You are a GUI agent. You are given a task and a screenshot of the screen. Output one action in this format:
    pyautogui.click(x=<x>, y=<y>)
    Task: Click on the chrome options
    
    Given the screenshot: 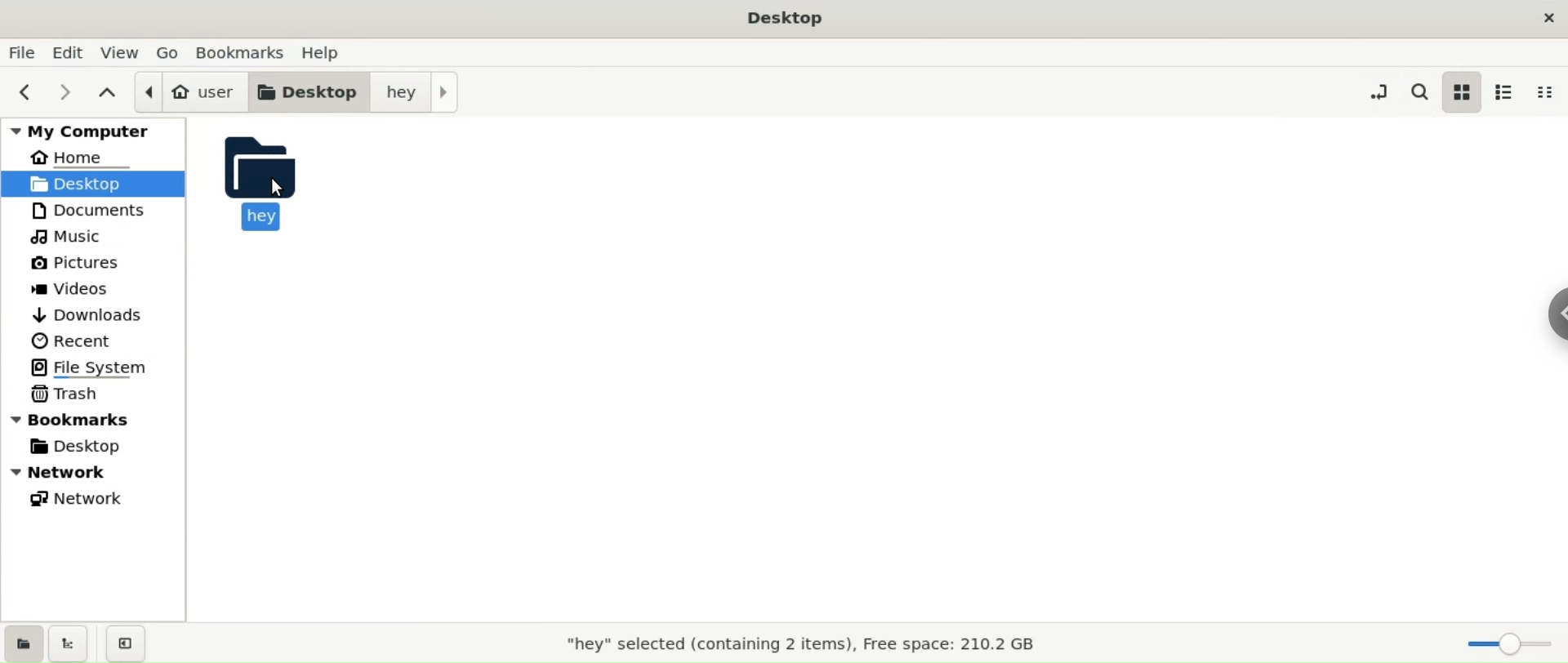 What is the action you would take?
    pyautogui.click(x=1554, y=314)
    